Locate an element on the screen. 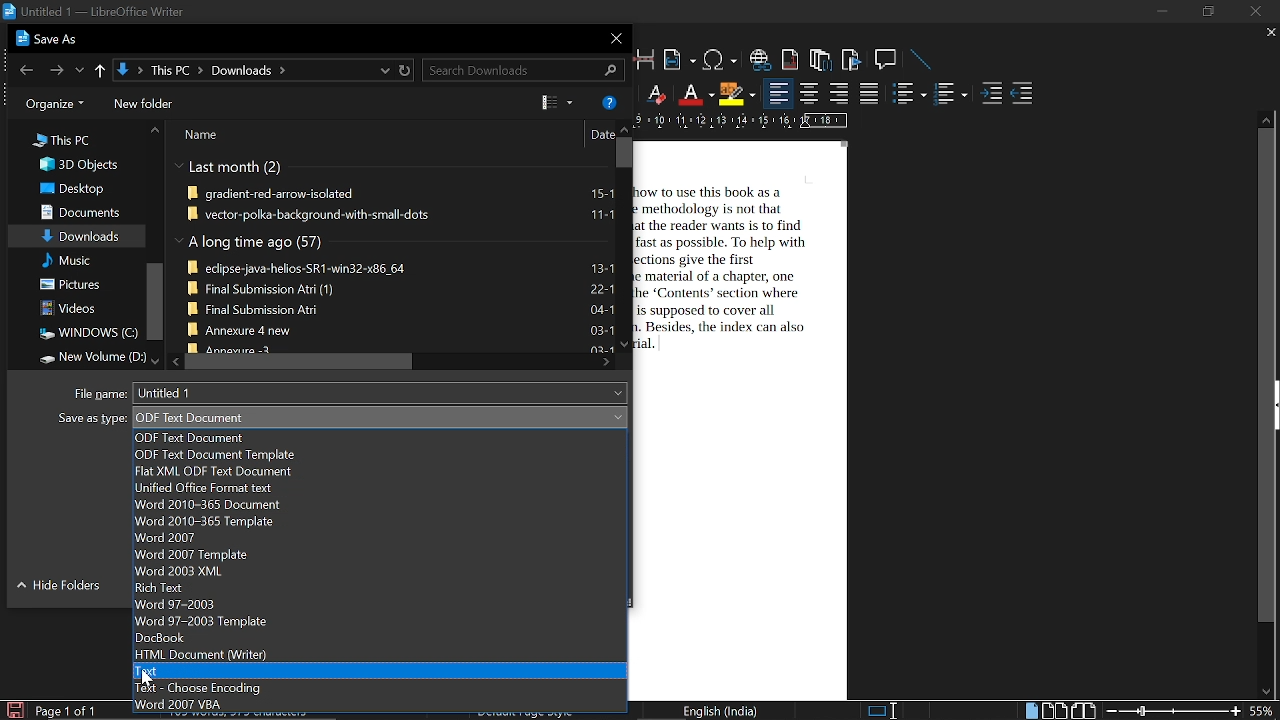 The image size is (1280, 720). word 2007 is located at coordinates (380, 538).